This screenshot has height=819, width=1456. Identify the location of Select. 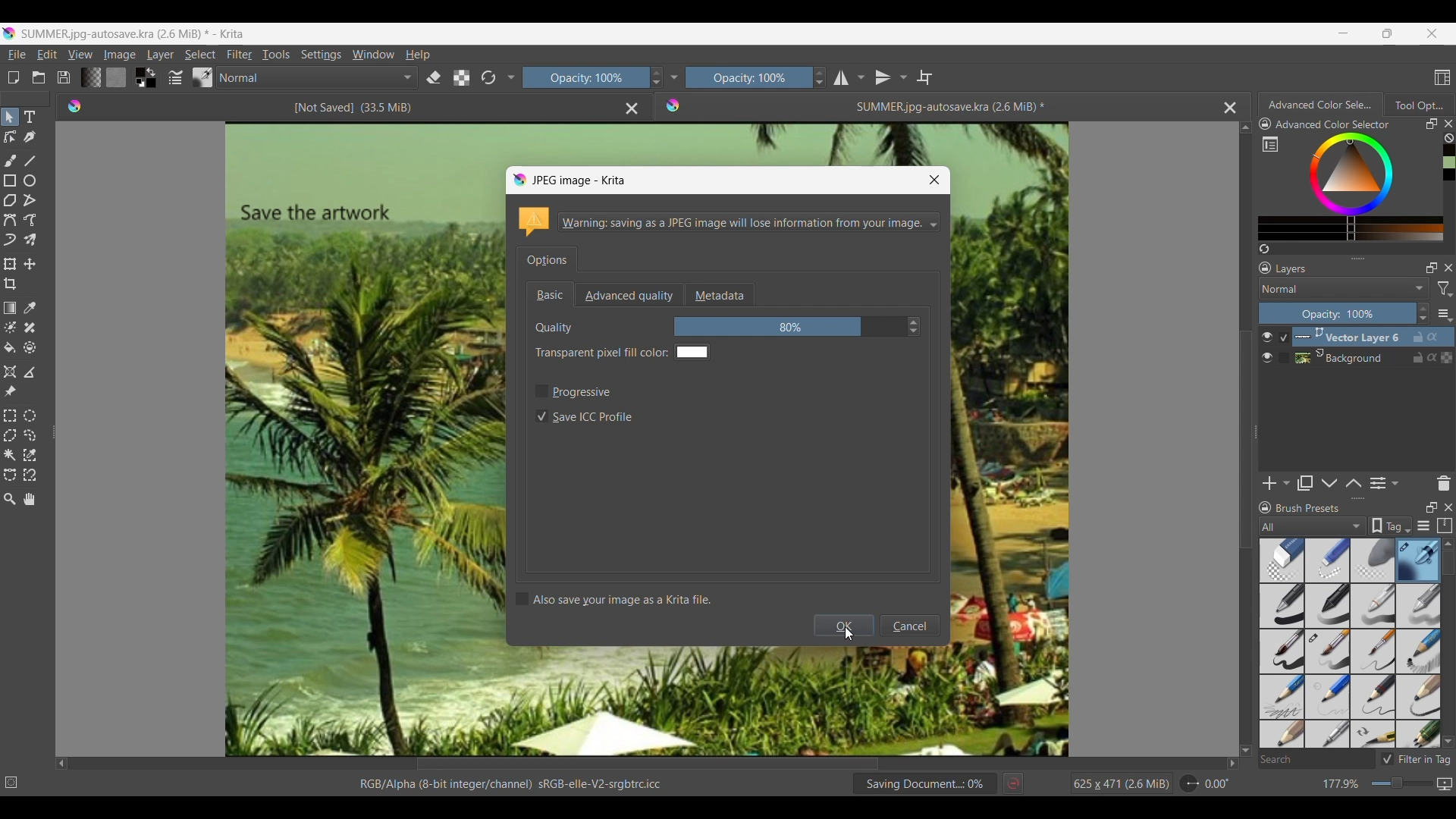
(200, 55).